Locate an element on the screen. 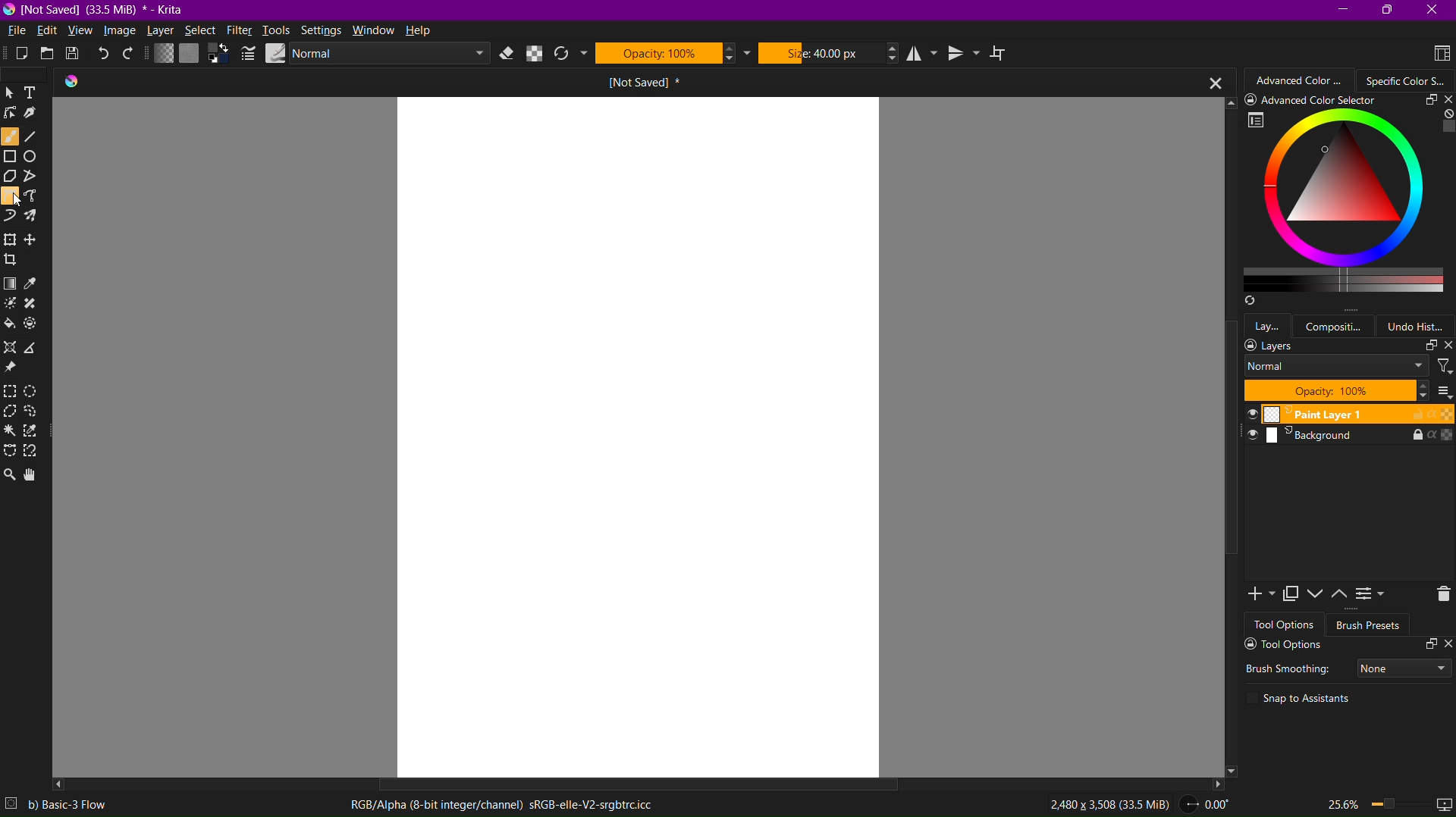 The image size is (1456, 817). Fill Gradients is located at coordinates (162, 55).